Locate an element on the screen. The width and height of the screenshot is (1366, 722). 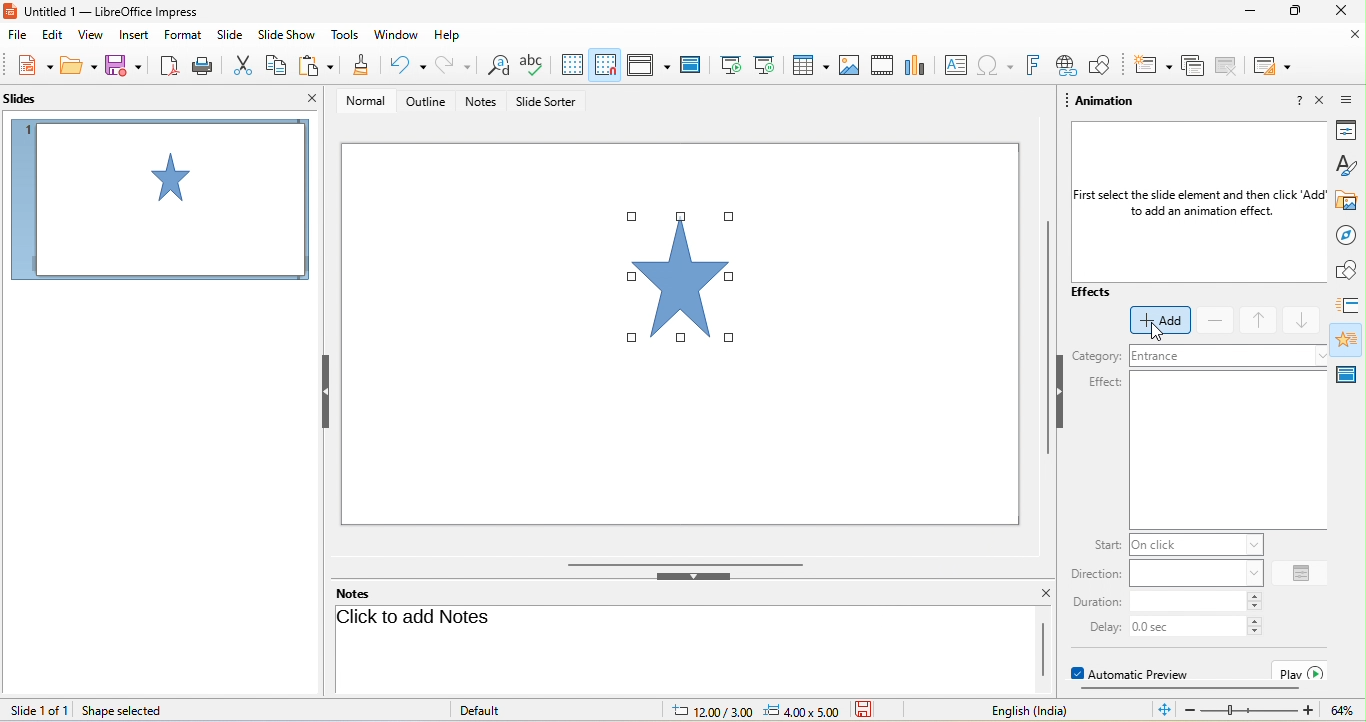
spelling is located at coordinates (533, 65).